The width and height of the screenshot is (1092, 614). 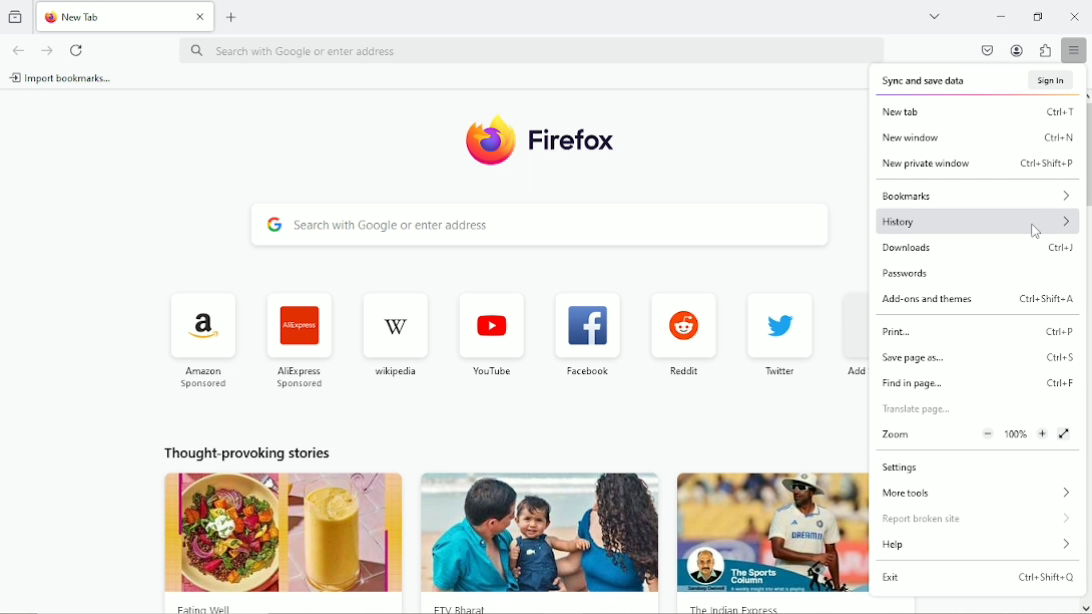 What do you see at coordinates (540, 607) in the screenshot?
I see `FTV Bharat` at bounding box center [540, 607].